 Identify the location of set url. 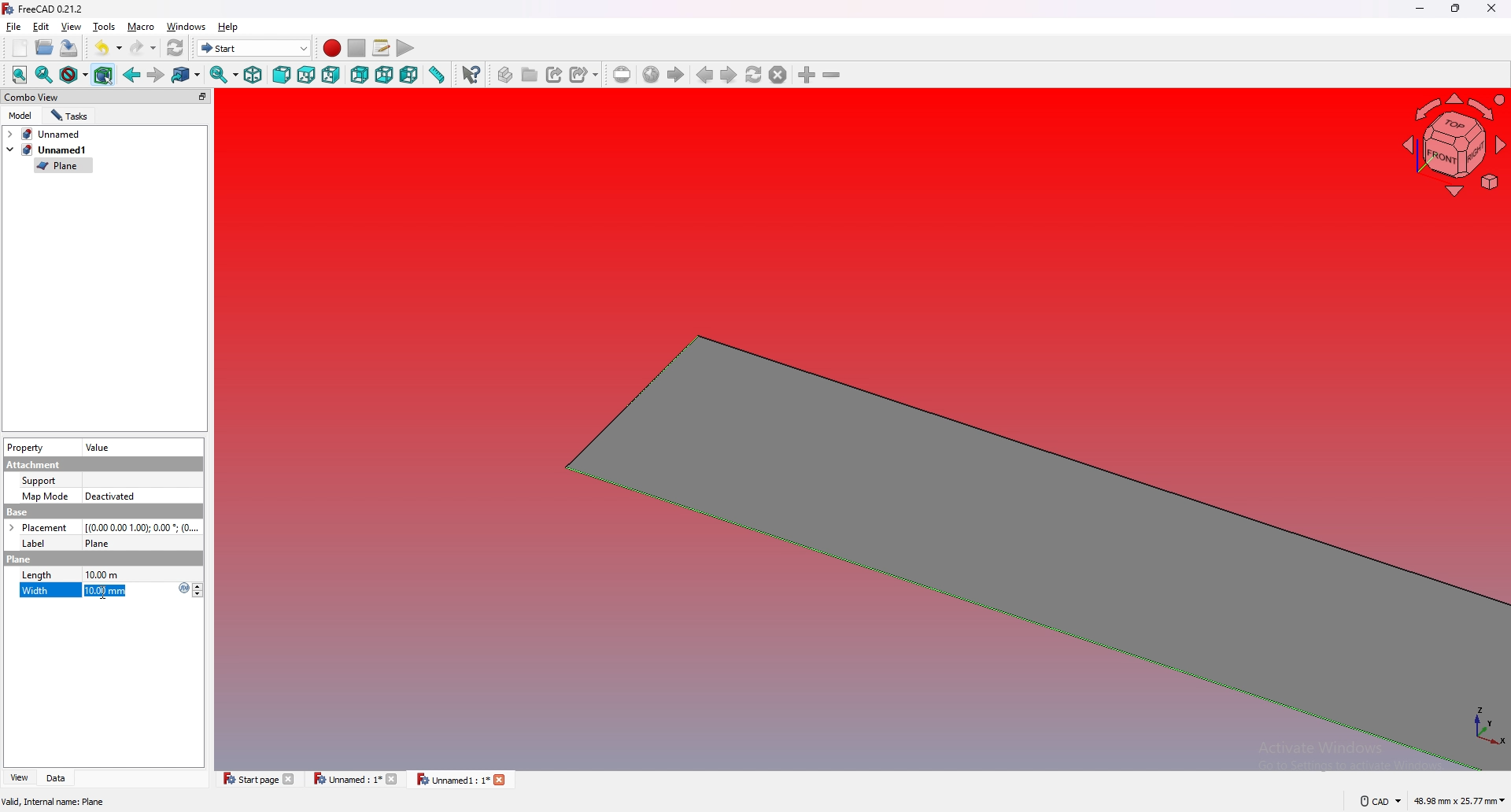
(623, 75).